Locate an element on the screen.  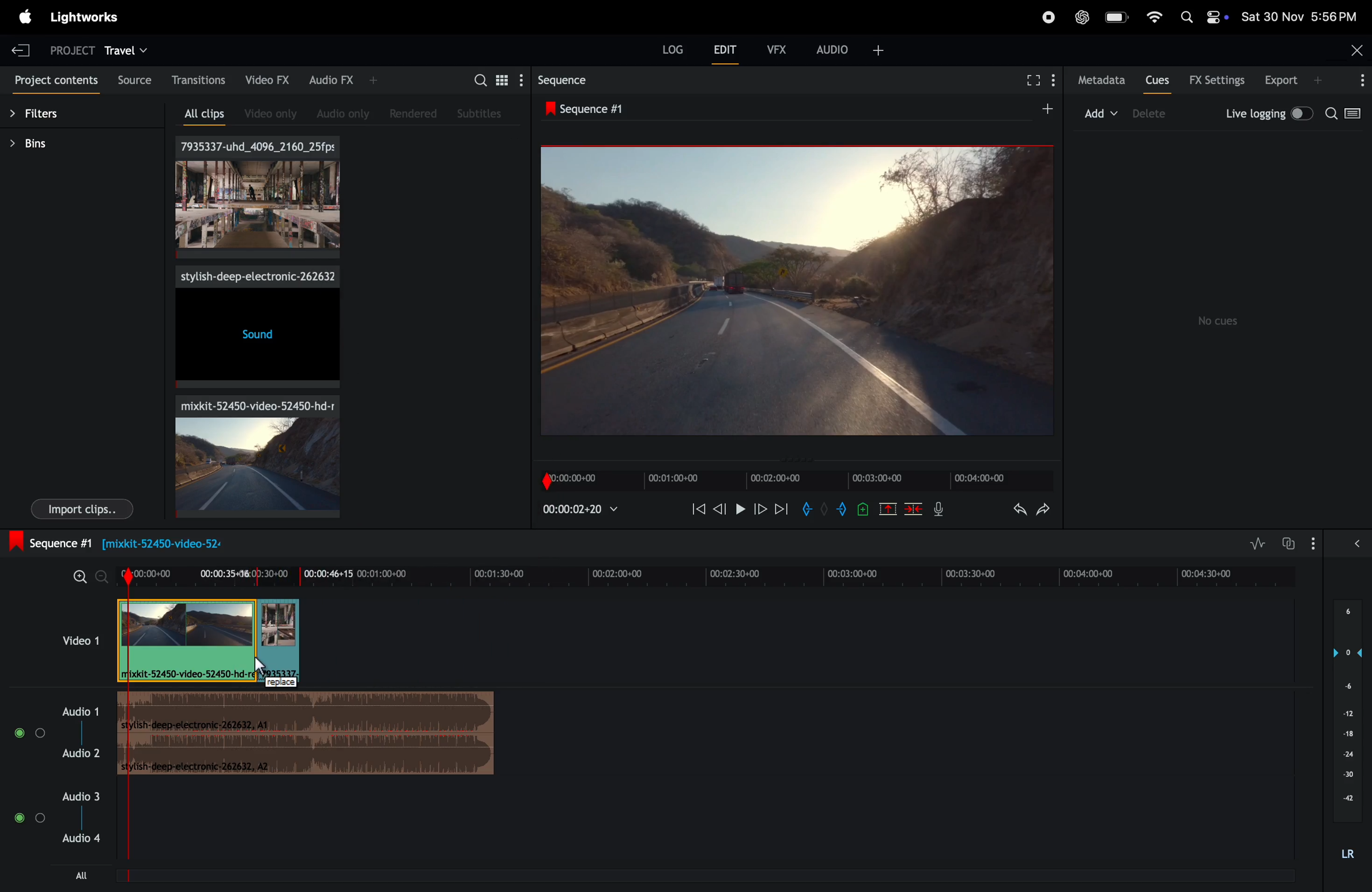
added clip is located at coordinates (279, 641).